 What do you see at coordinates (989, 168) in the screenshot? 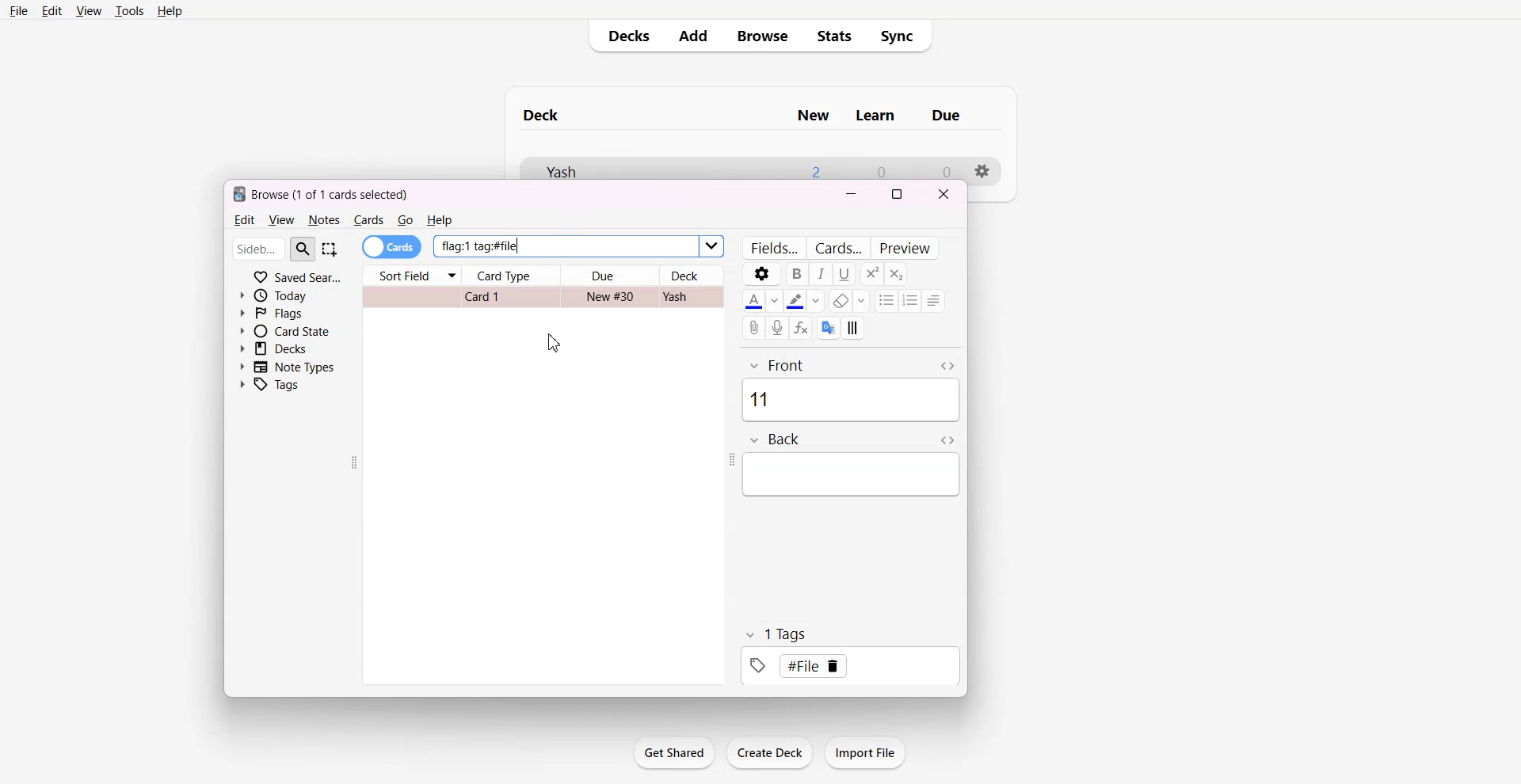
I see `Settings` at bounding box center [989, 168].